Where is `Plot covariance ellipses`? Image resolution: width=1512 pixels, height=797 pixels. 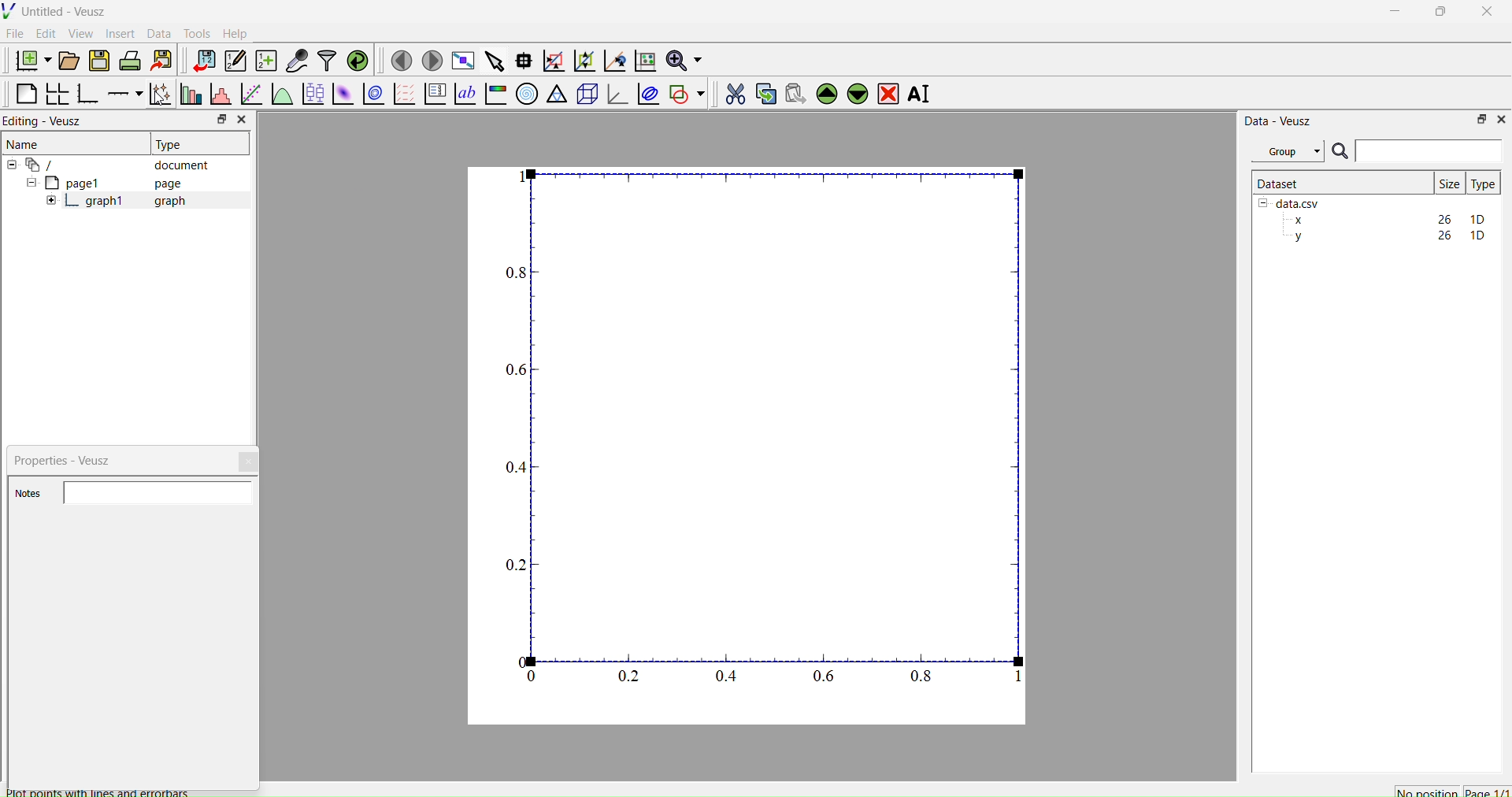 Plot covariance ellipses is located at coordinates (647, 93).